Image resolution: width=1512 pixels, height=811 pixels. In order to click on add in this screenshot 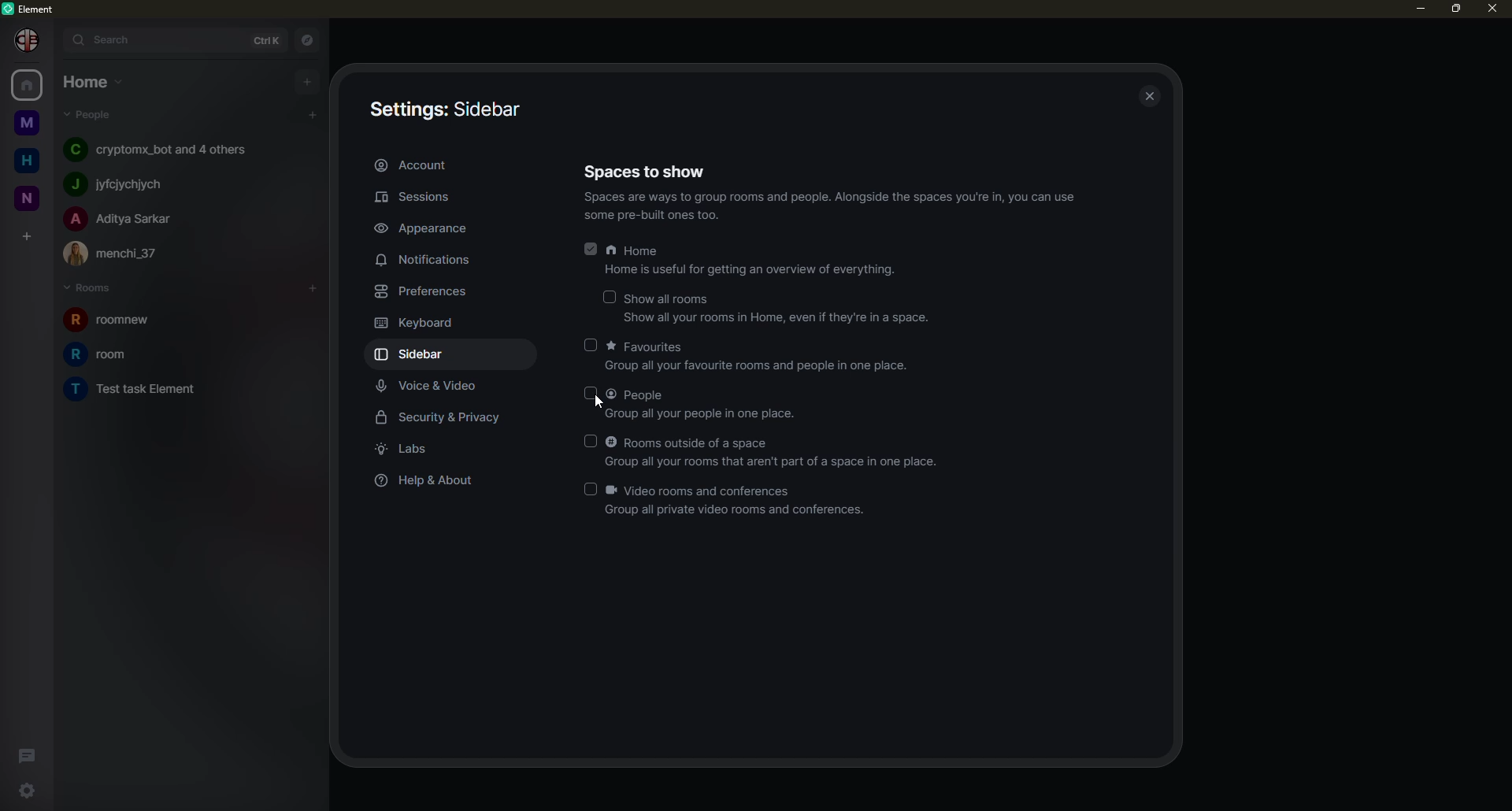, I will do `click(314, 286)`.